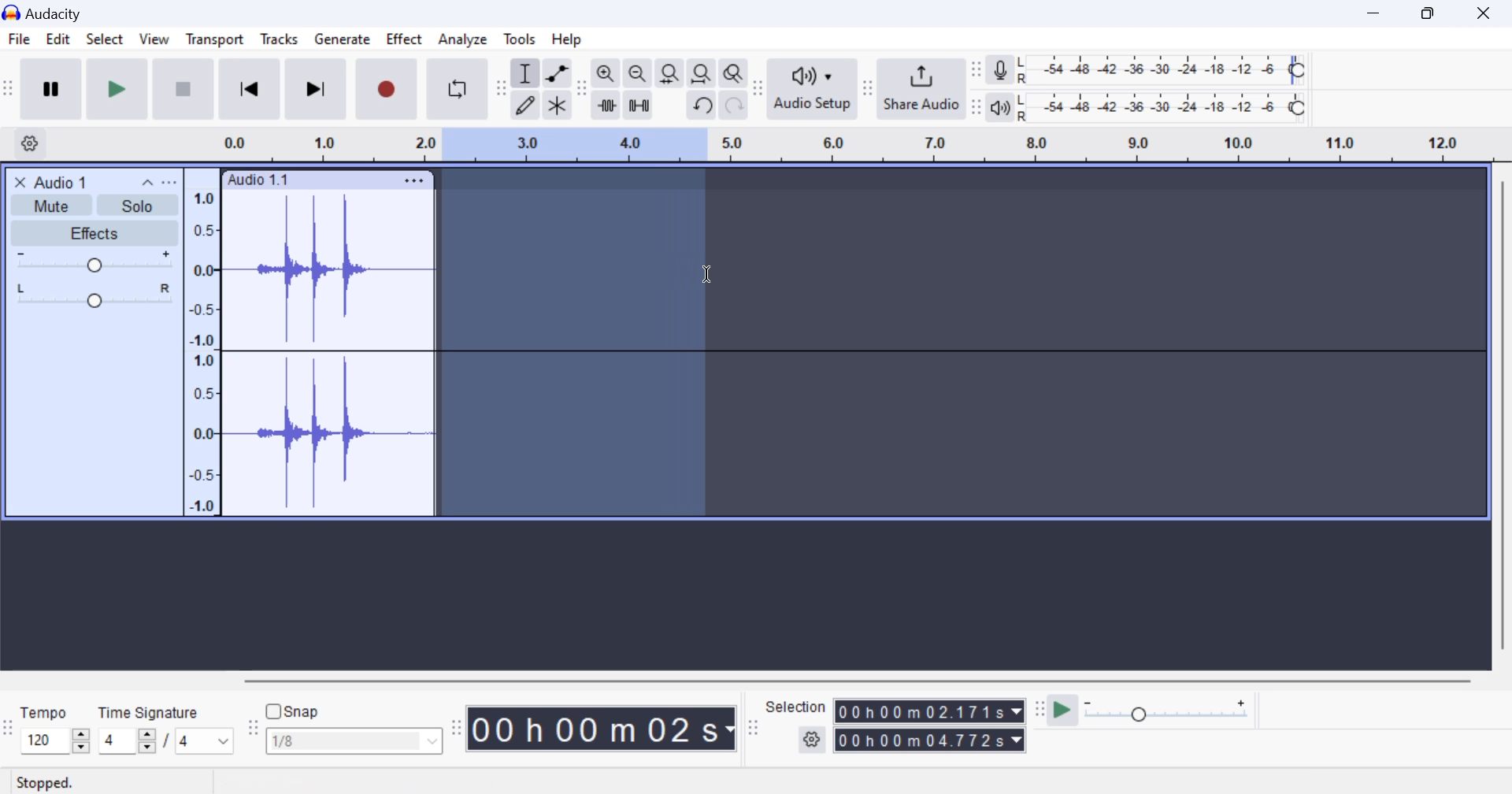 The image size is (1512, 794). What do you see at coordinates (558, 106) in the screenshot?
I see `multi tool` at bounding box center [558, 106].